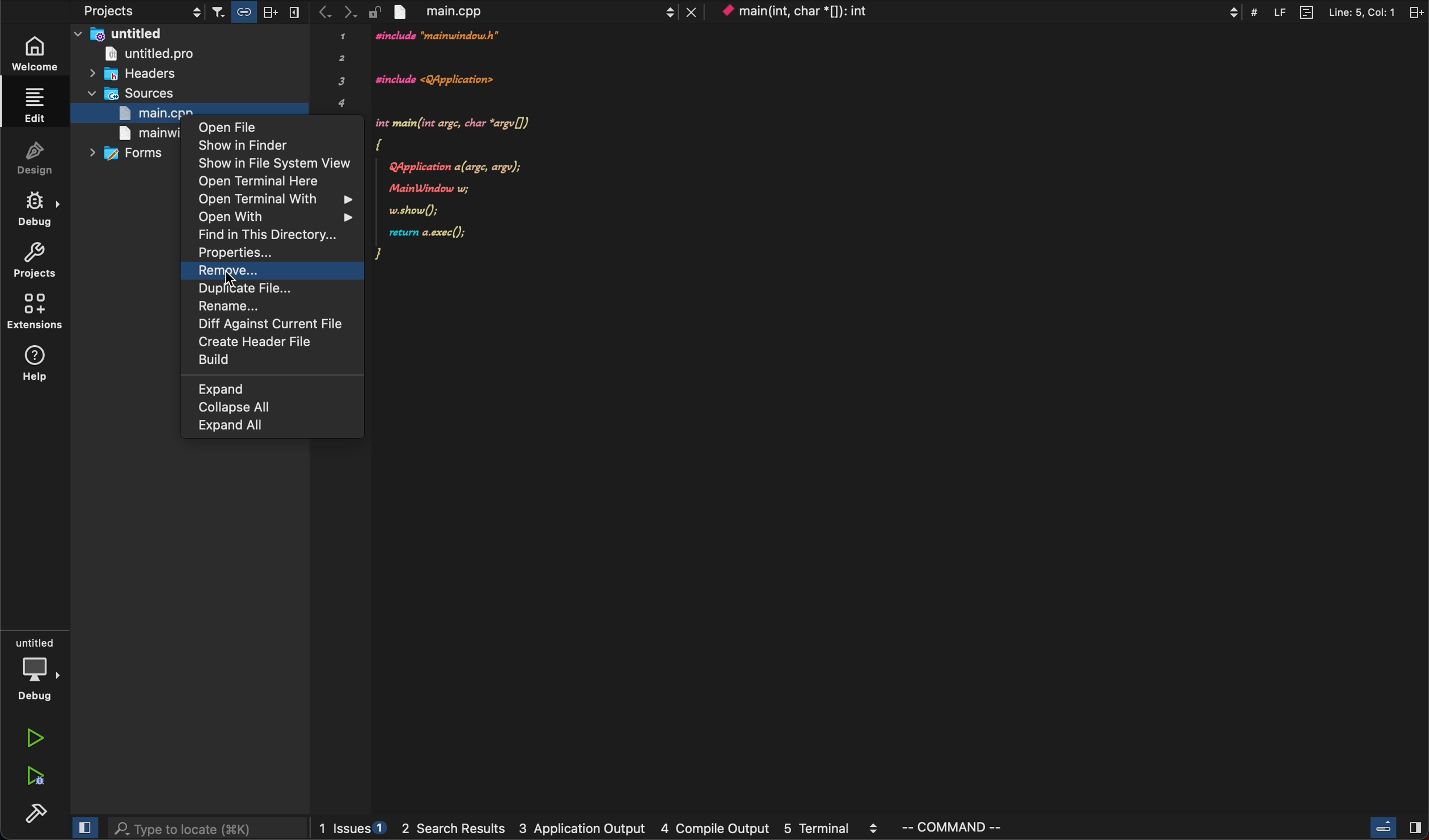 The width and height of the screenshot is (1429, 840). What do you see at coordinates (256, 11) in the screenshot?
I see `filter` at bounding box center [256, 11].